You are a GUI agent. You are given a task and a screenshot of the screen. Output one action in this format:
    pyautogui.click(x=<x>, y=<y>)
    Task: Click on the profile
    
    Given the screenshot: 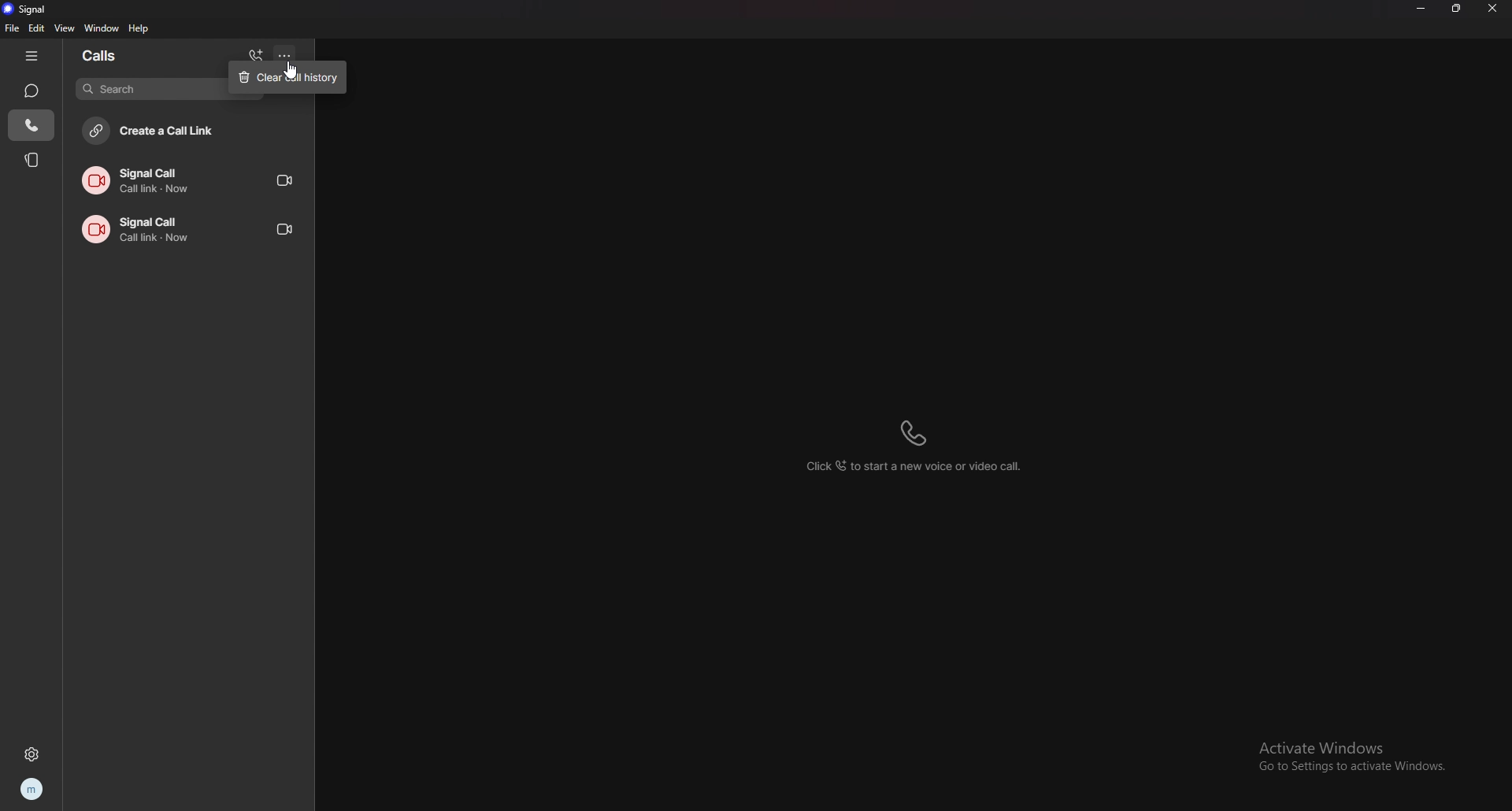 What is the action you would take?
    pyautogui.click(x=31, y=790)
    